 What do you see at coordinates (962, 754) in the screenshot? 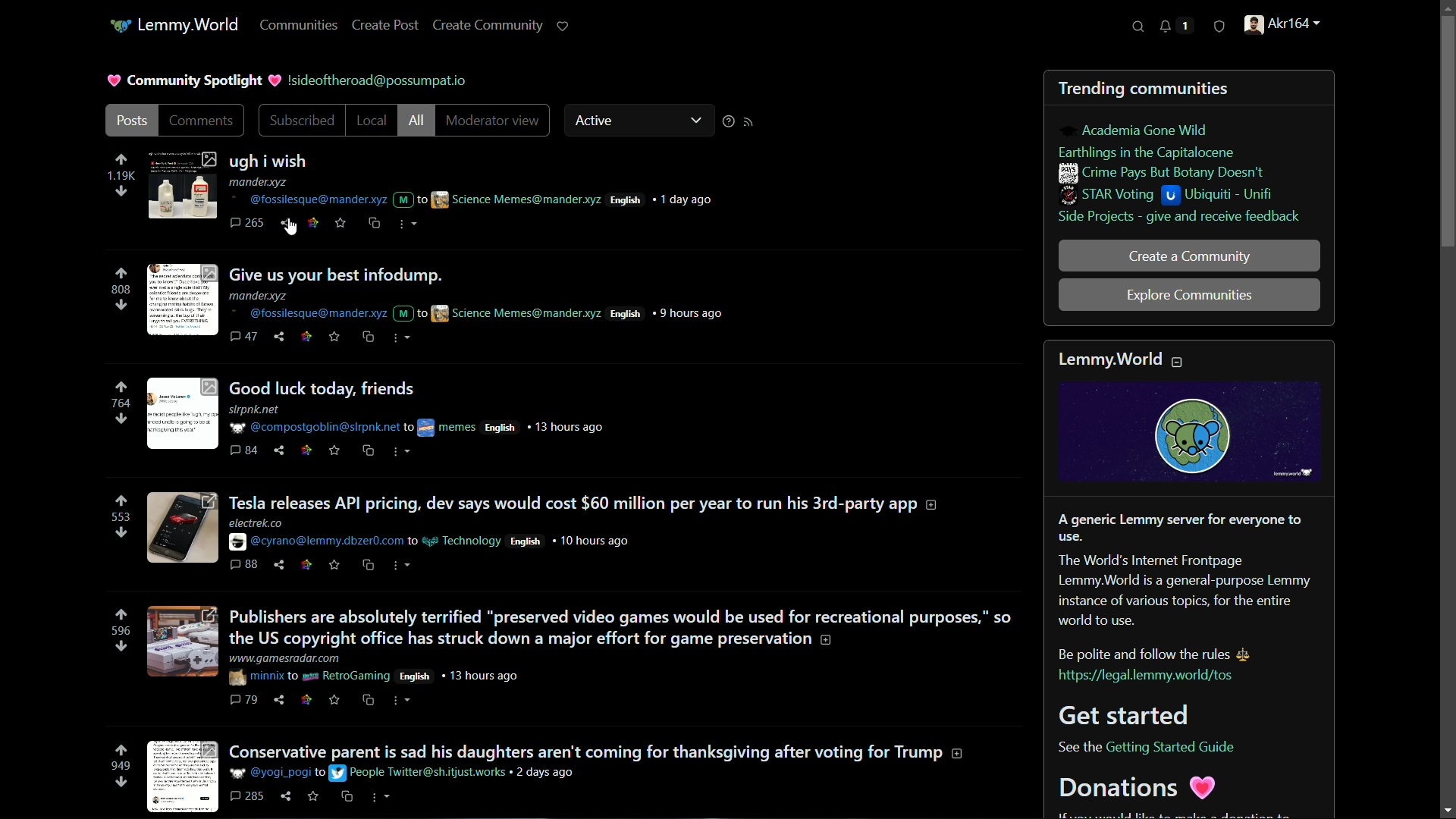
I see `more information` at bounding box center [962, 754].